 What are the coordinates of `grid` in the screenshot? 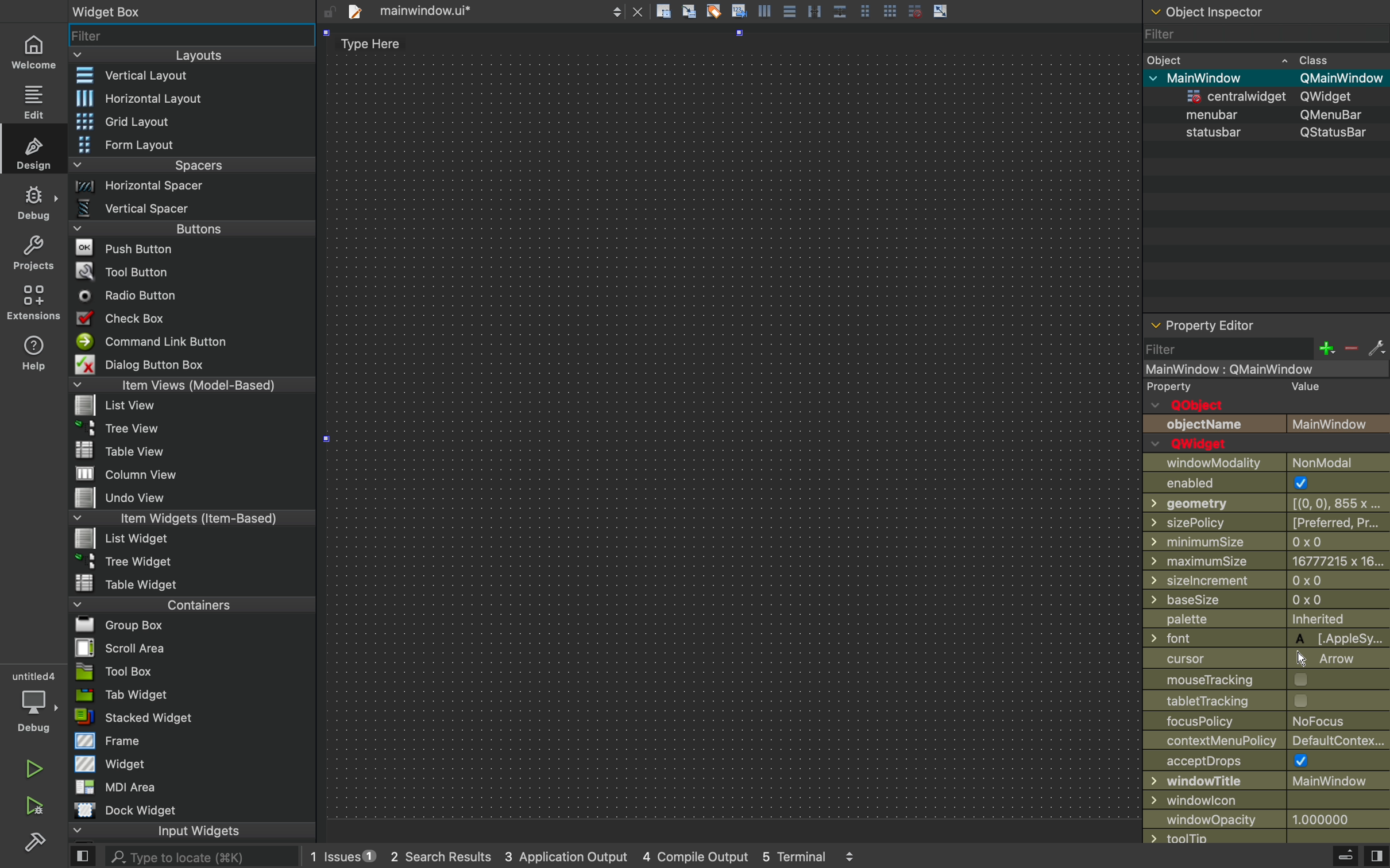 It's located at (914, 11).